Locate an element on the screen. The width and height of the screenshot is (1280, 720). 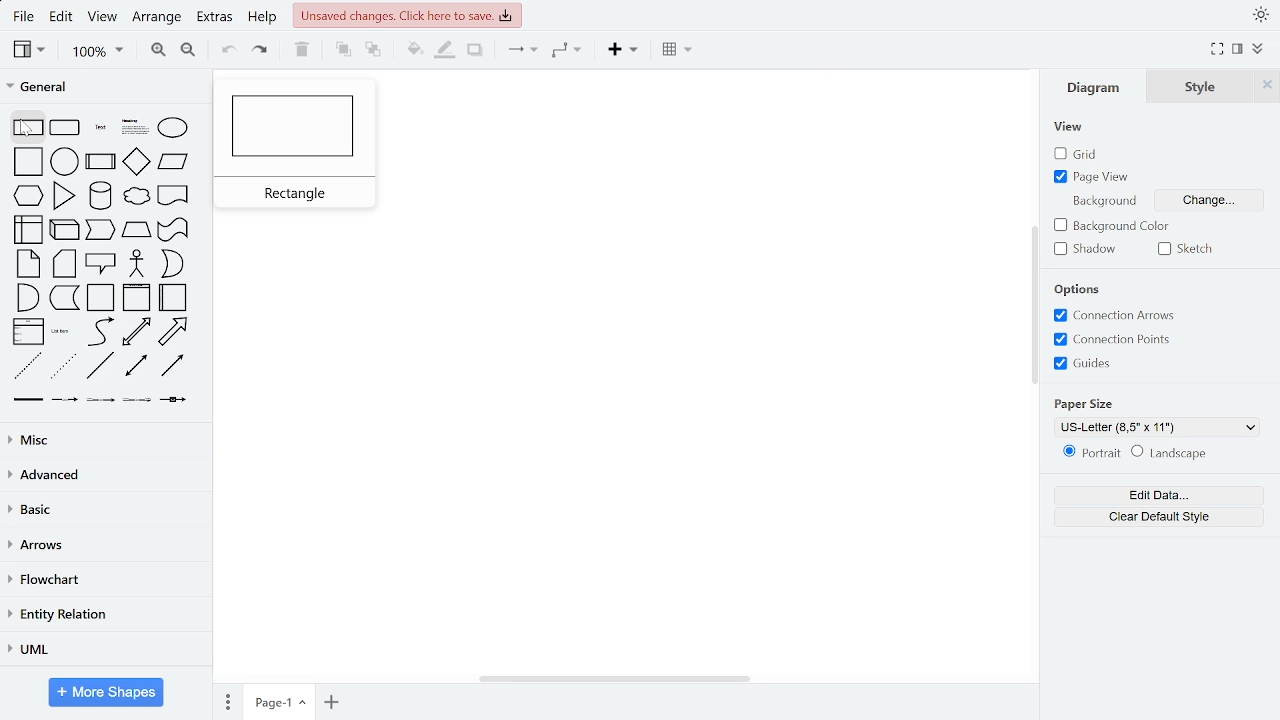
guides is located at coordinates (1112, 363).